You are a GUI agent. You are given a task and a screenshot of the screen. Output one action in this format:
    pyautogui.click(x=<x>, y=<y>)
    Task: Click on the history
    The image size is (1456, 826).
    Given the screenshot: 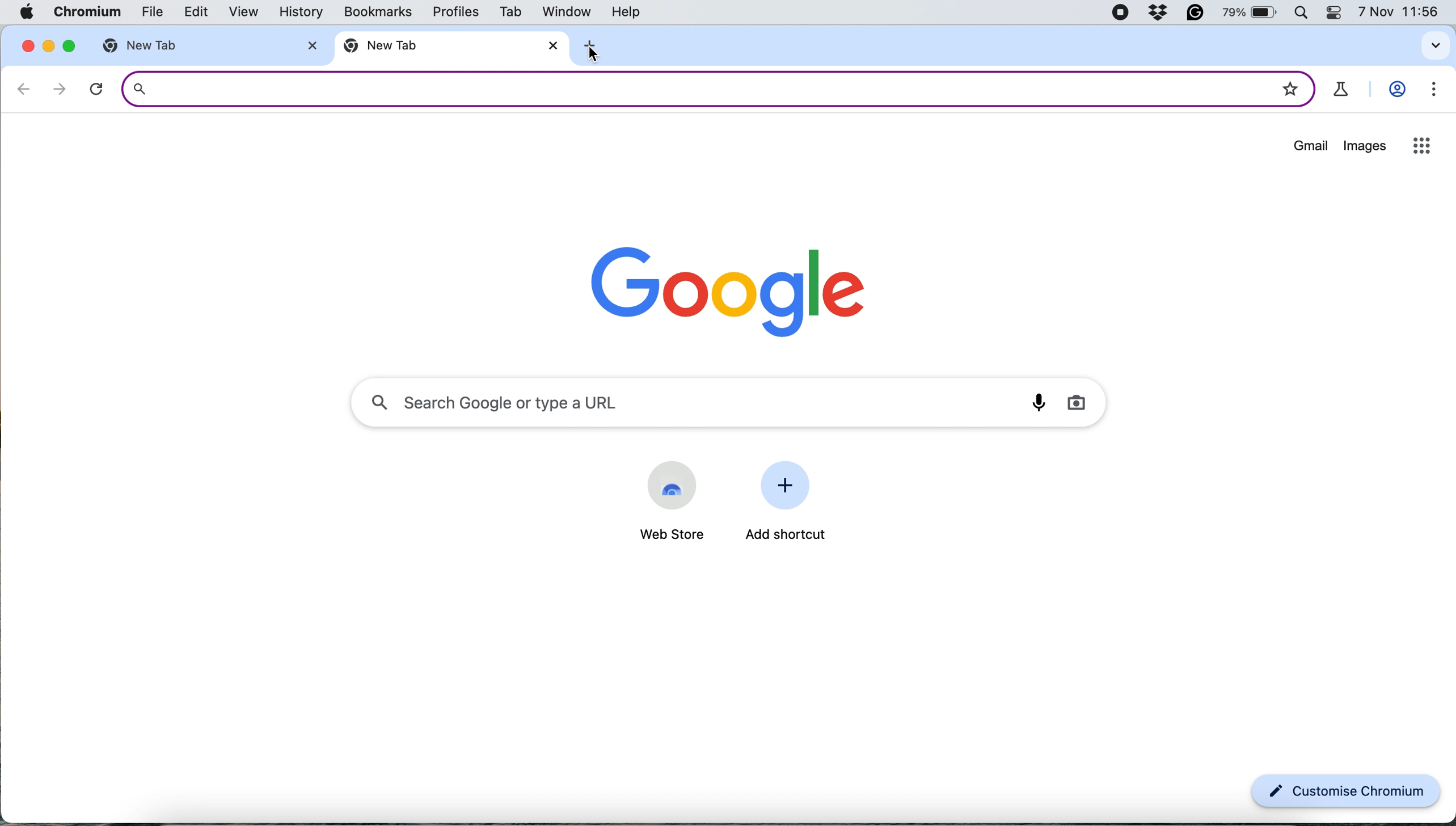 What is the action you would take?
    pyautogui.click(x=305, y=12)
    